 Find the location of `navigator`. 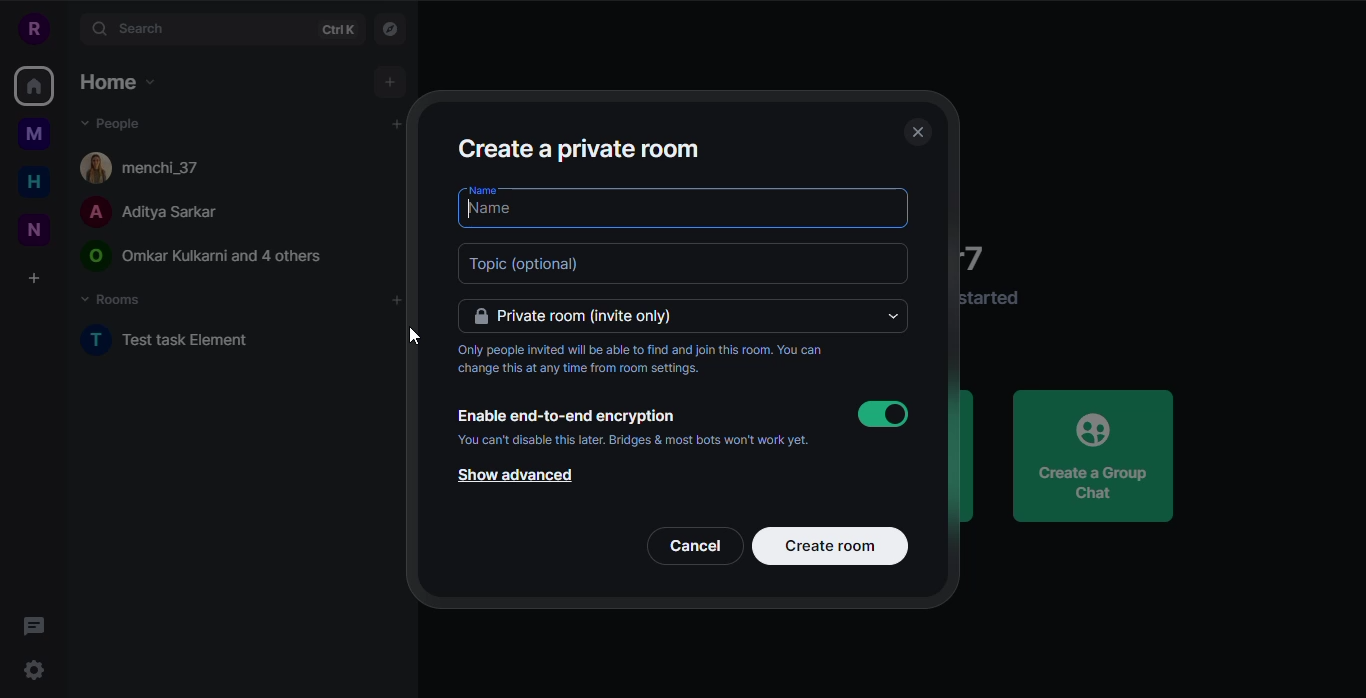

navigator is located at coordinates (395, 30).